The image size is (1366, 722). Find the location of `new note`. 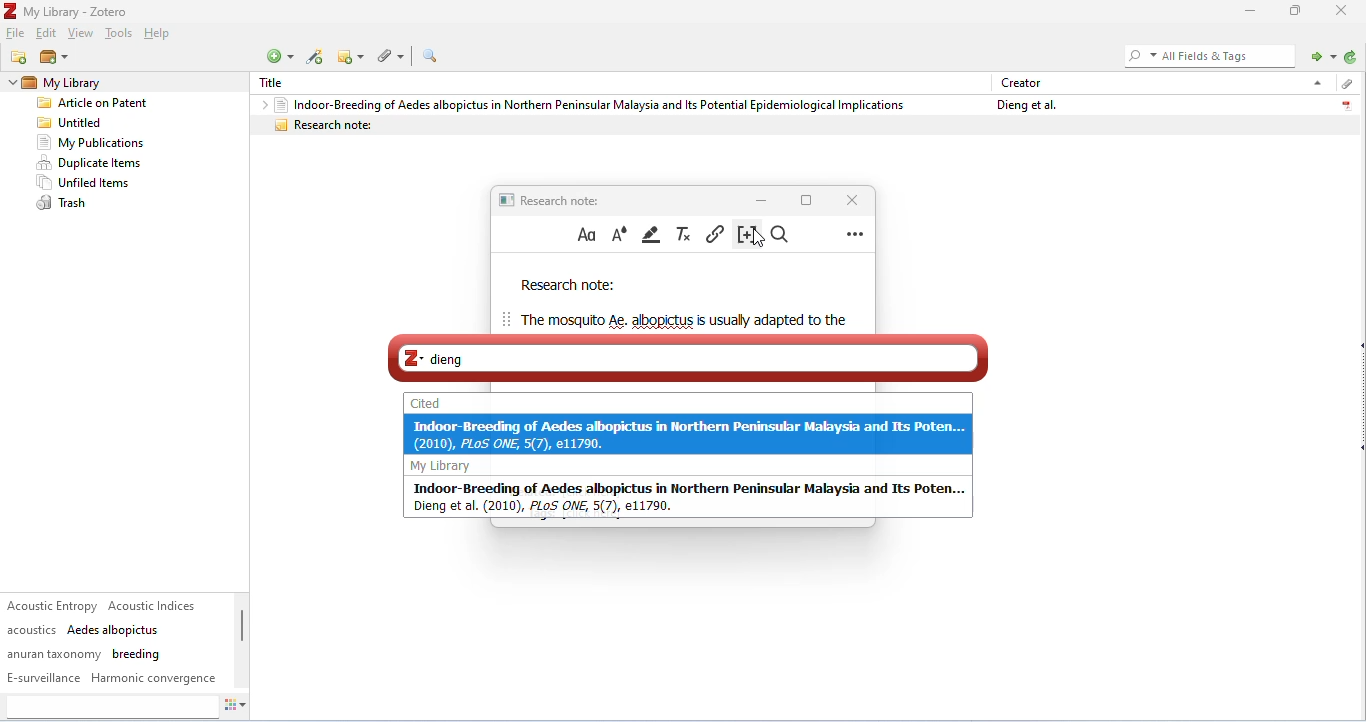

new note is located at coordinates (353, 56).